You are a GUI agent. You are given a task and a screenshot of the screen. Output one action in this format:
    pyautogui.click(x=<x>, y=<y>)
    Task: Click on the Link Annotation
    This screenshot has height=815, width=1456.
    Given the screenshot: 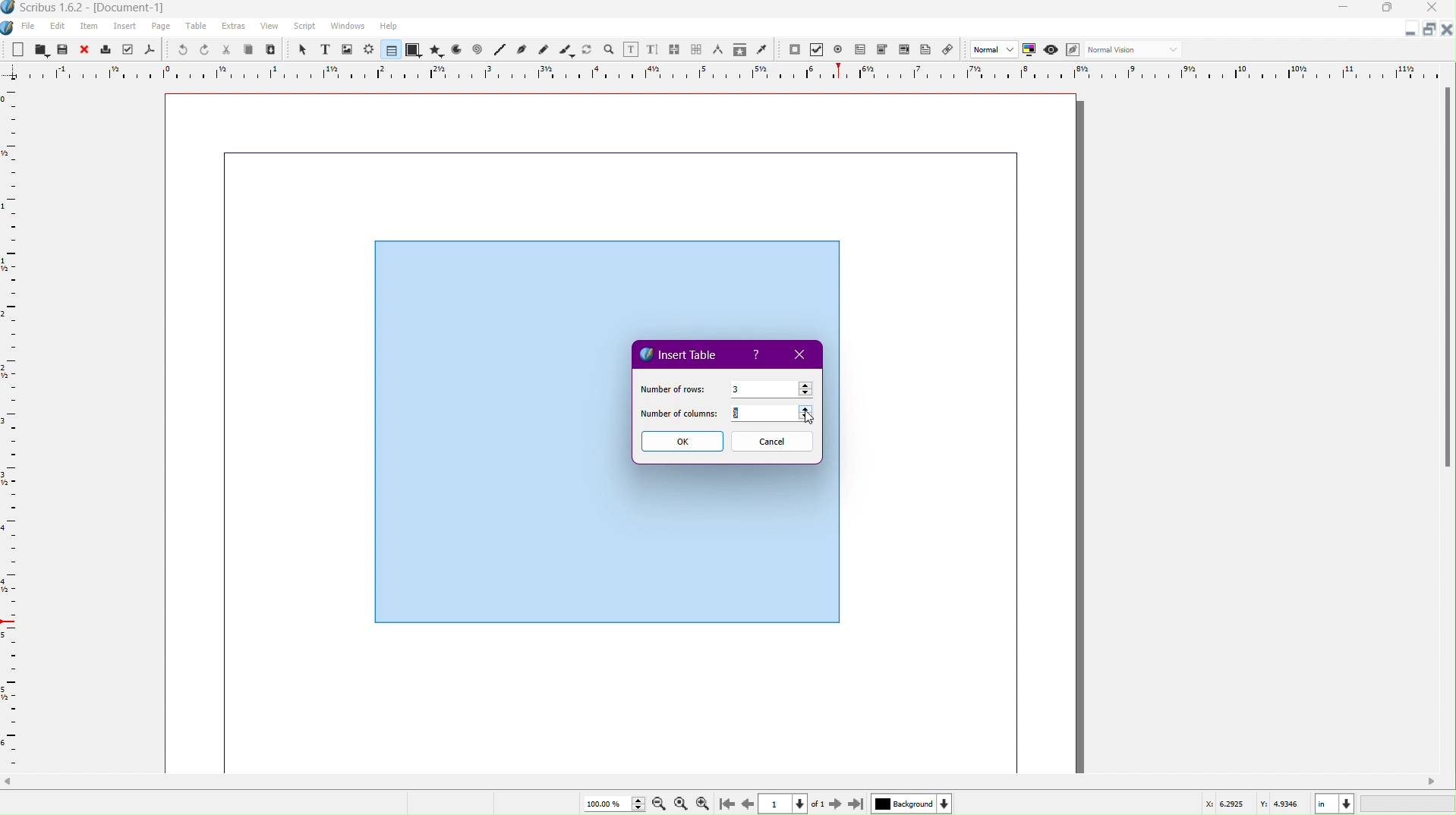 What is the action you would take?
    pyautogui.click(x=952, y=51)
    